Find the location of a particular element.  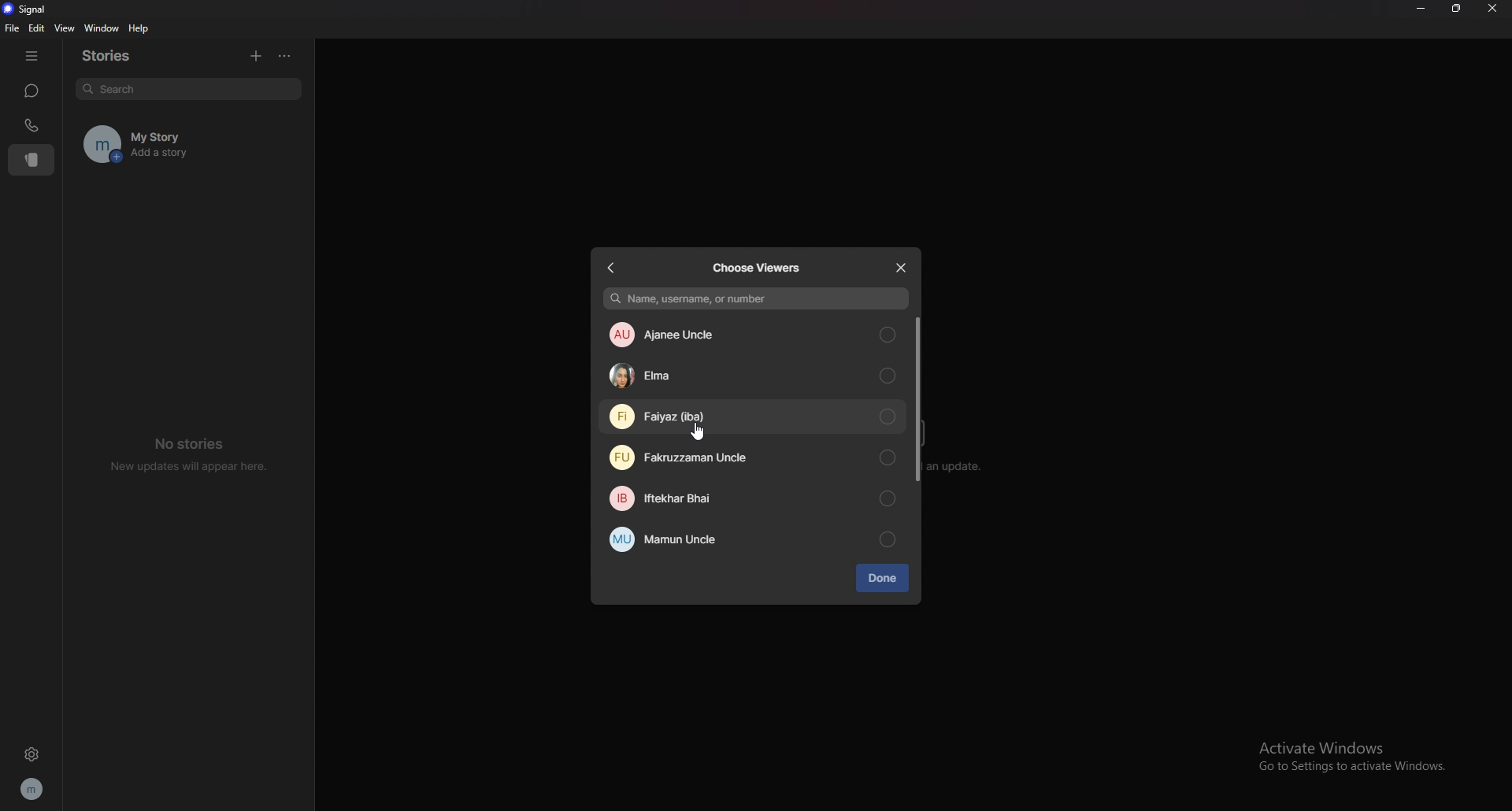

settings is located at coordinates (31, 755).